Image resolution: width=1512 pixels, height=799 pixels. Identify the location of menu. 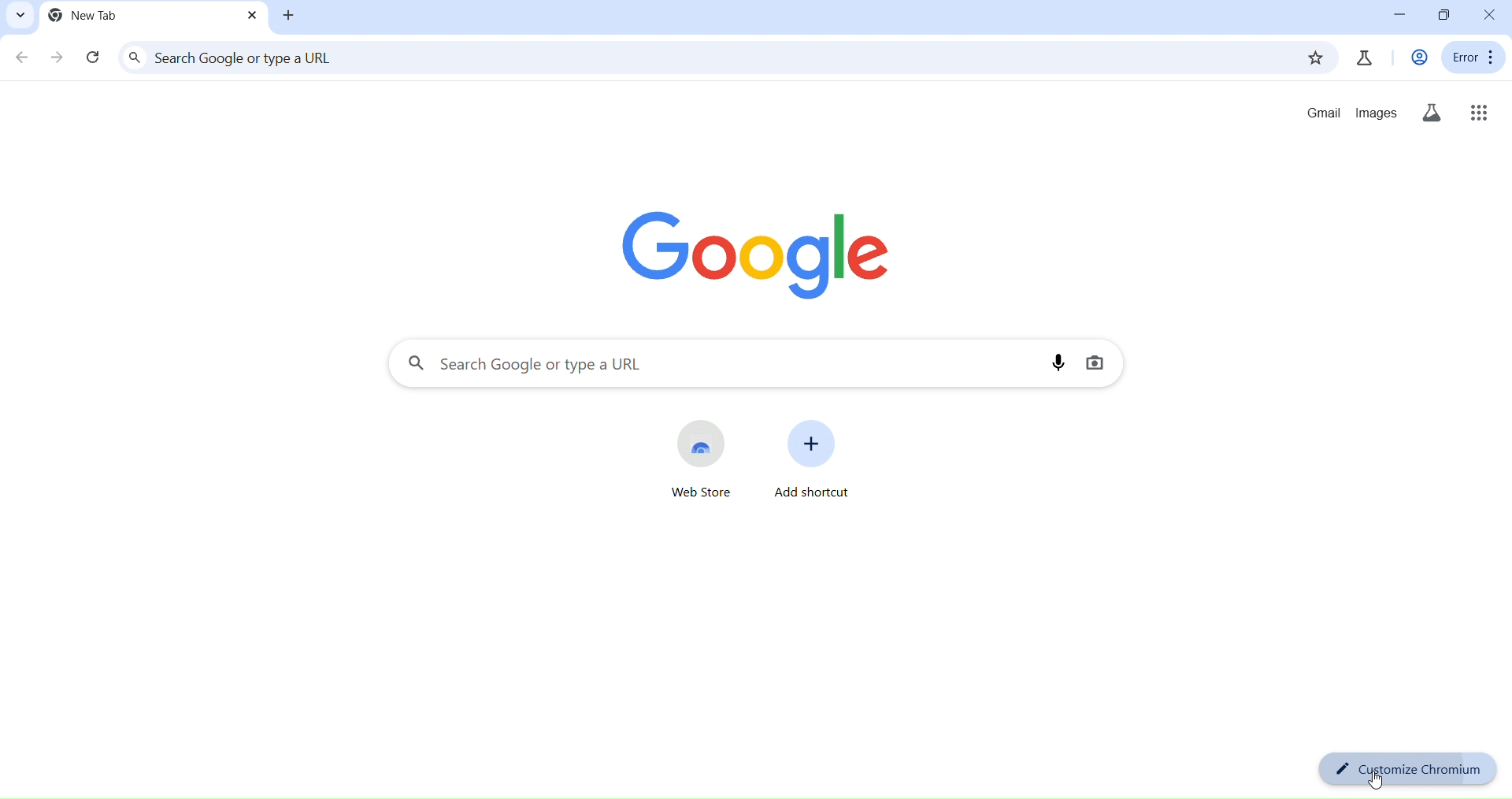
(1475, 57).